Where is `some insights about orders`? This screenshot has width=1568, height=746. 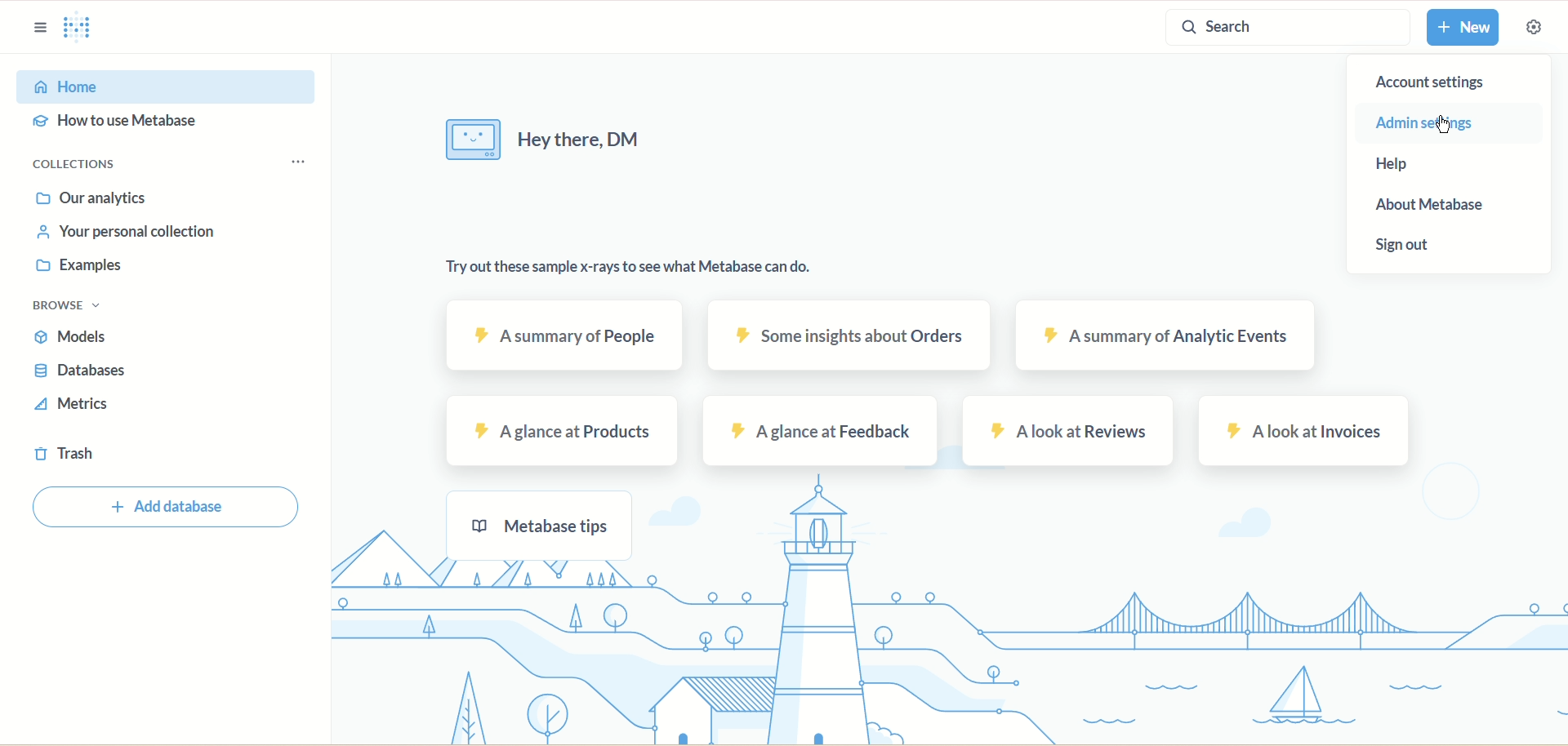
some insights about orders is located at coordinates (849, 337).